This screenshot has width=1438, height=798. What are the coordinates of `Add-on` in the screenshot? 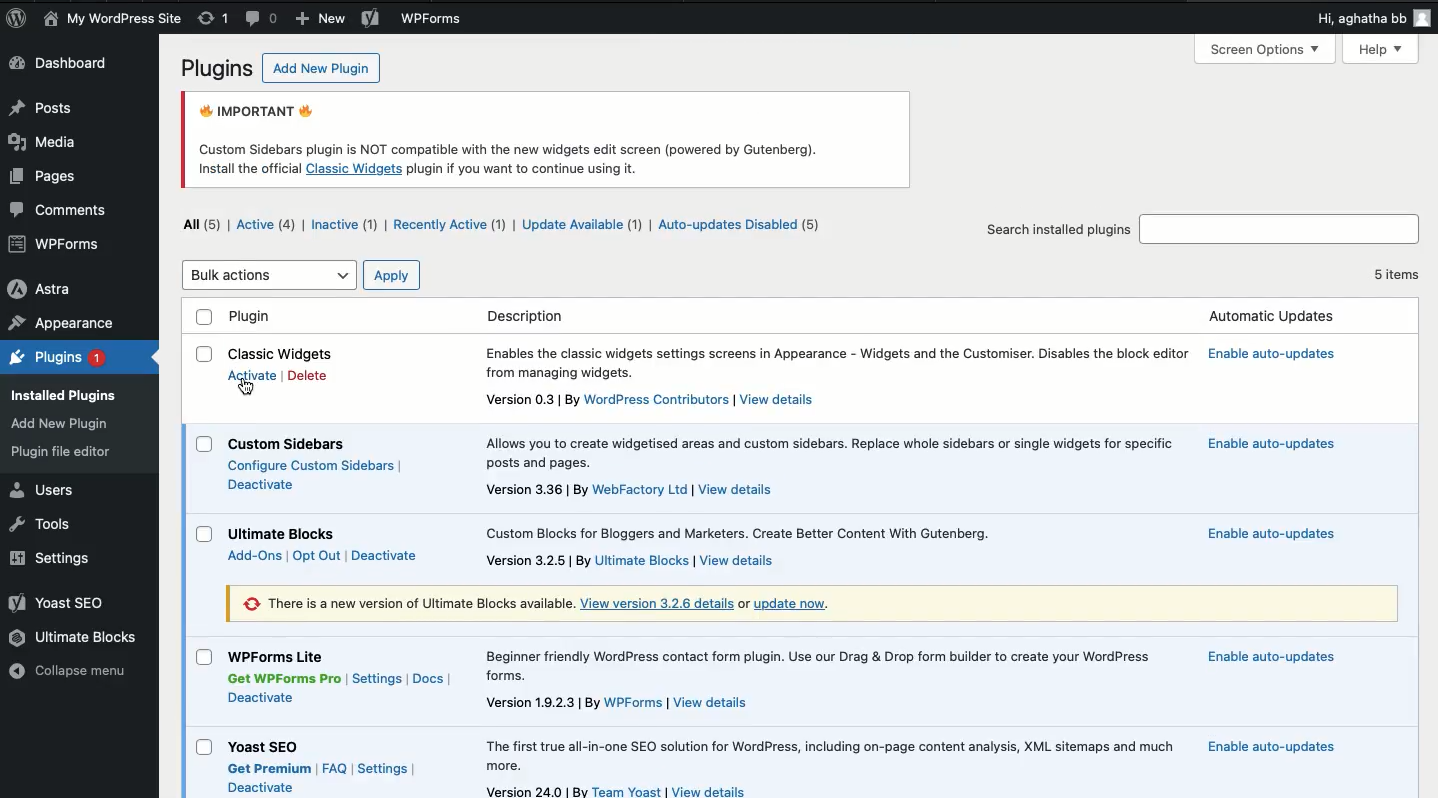 It's located at (256, 555).